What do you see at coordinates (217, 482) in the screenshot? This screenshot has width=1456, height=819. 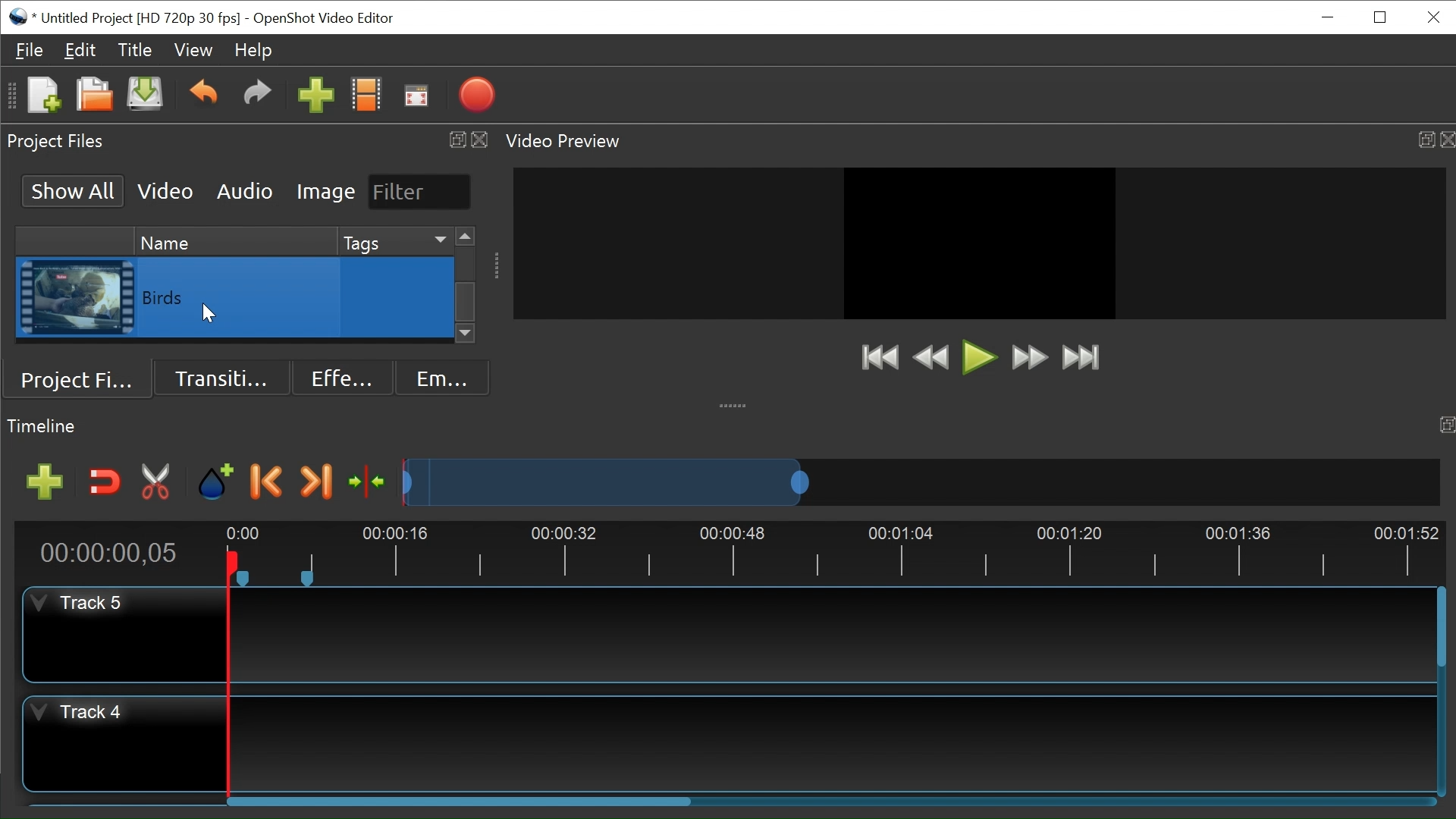 I see `Marker` at bounding box center [217, 482].